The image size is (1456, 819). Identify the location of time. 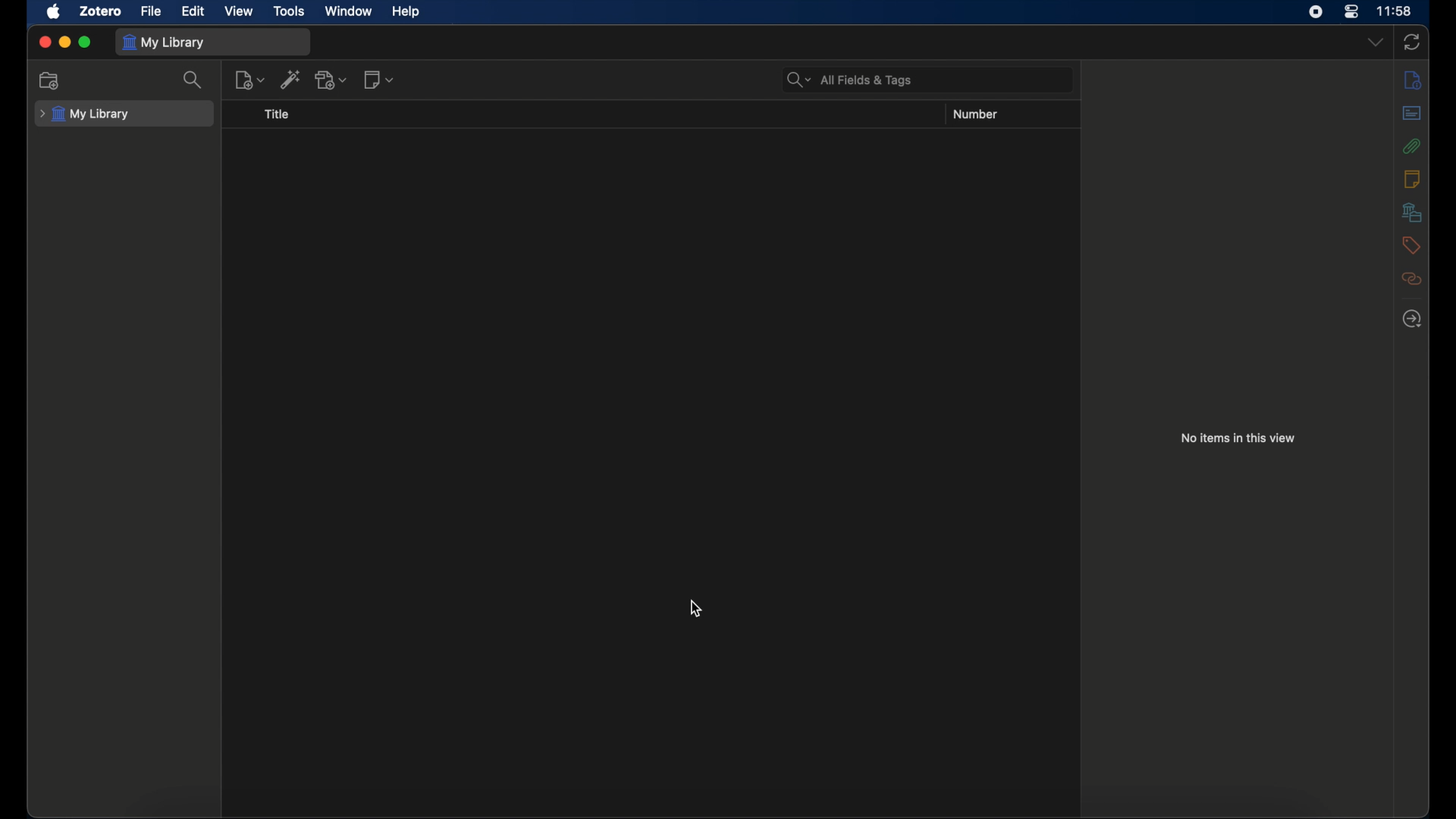
(1394, 11).